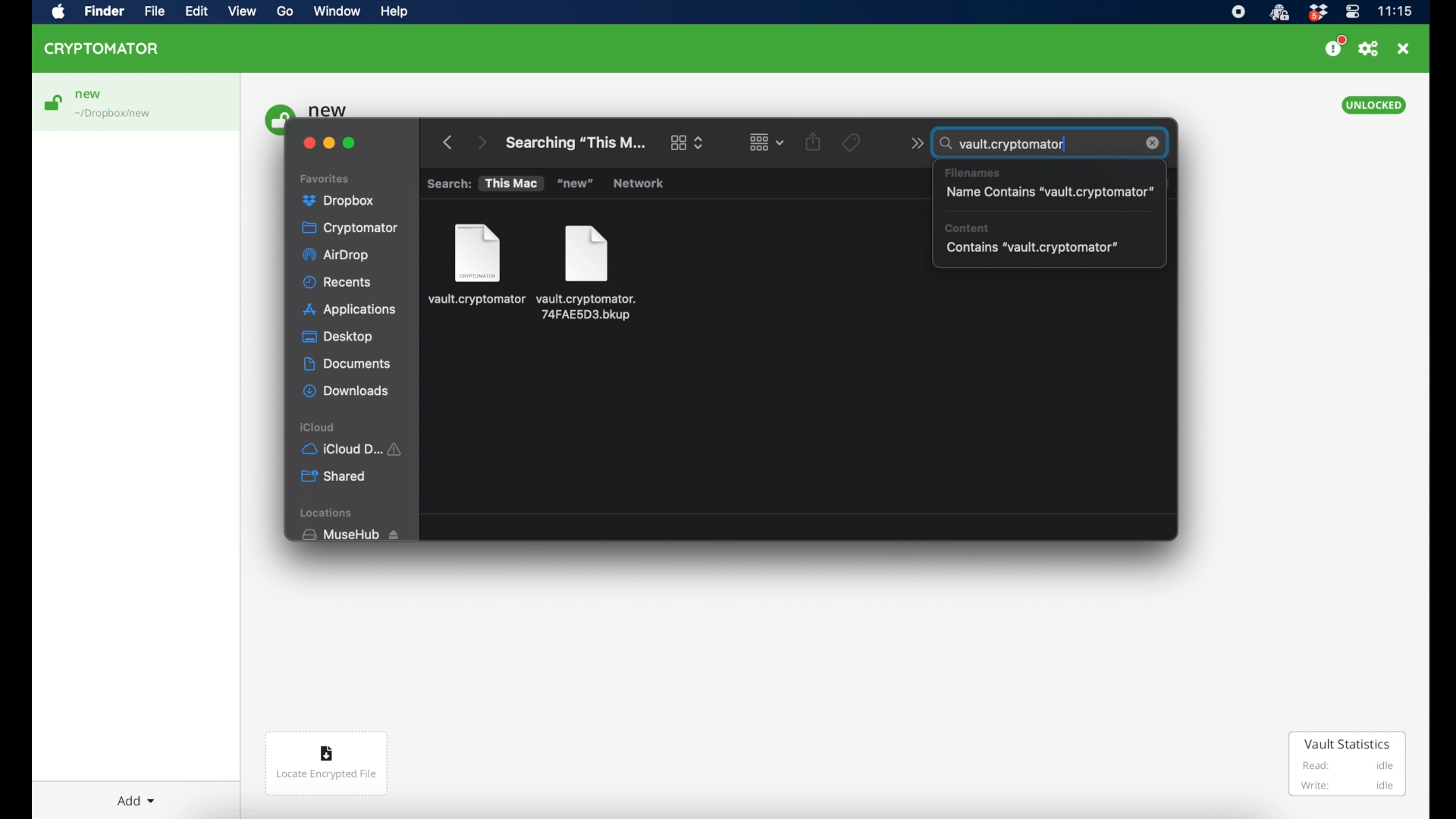 This screenshot has width=1456, height=819. I want to click on name contains "vault.cryptomator", so click(1049, 193).